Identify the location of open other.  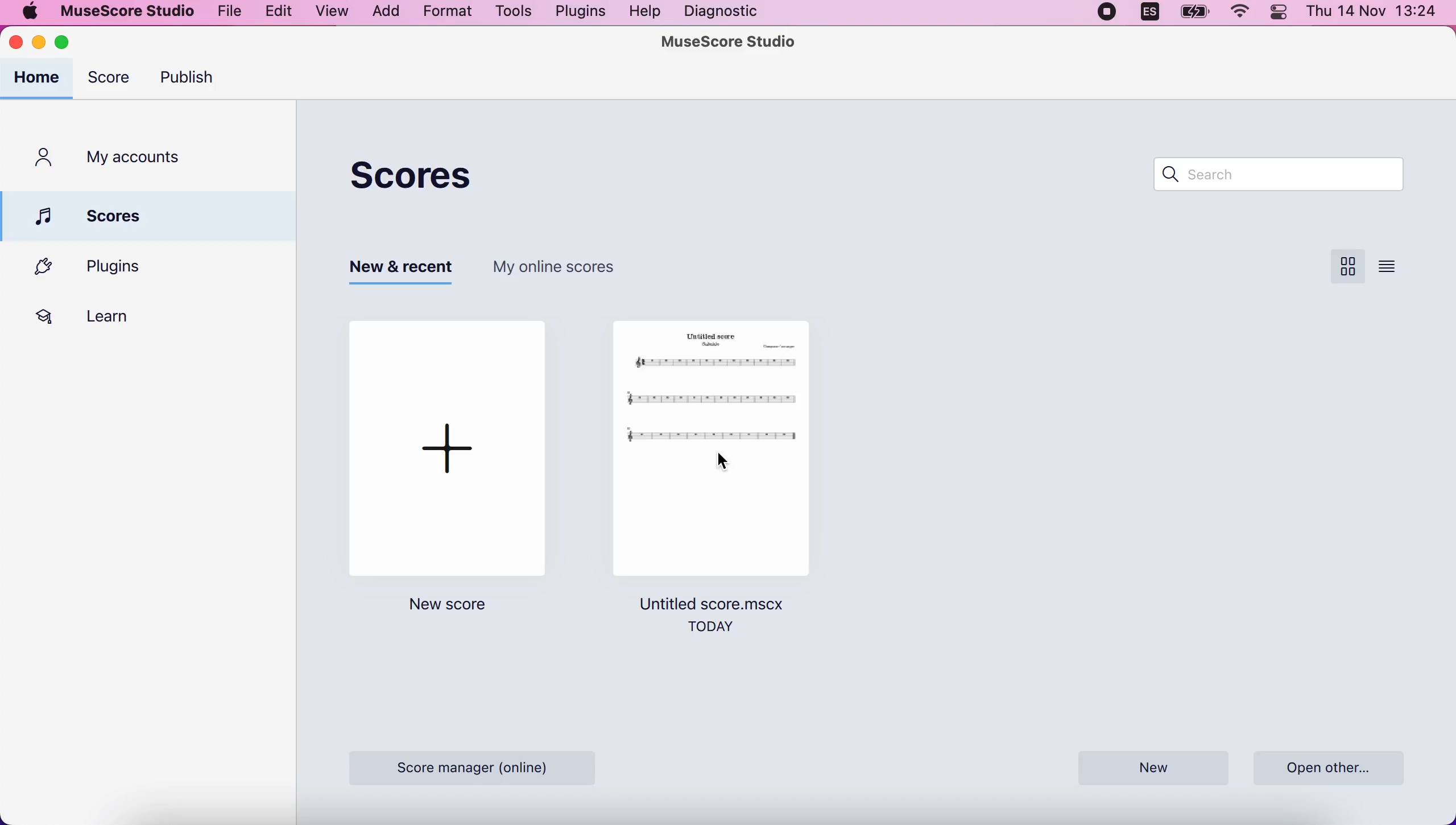
(1334, 766).